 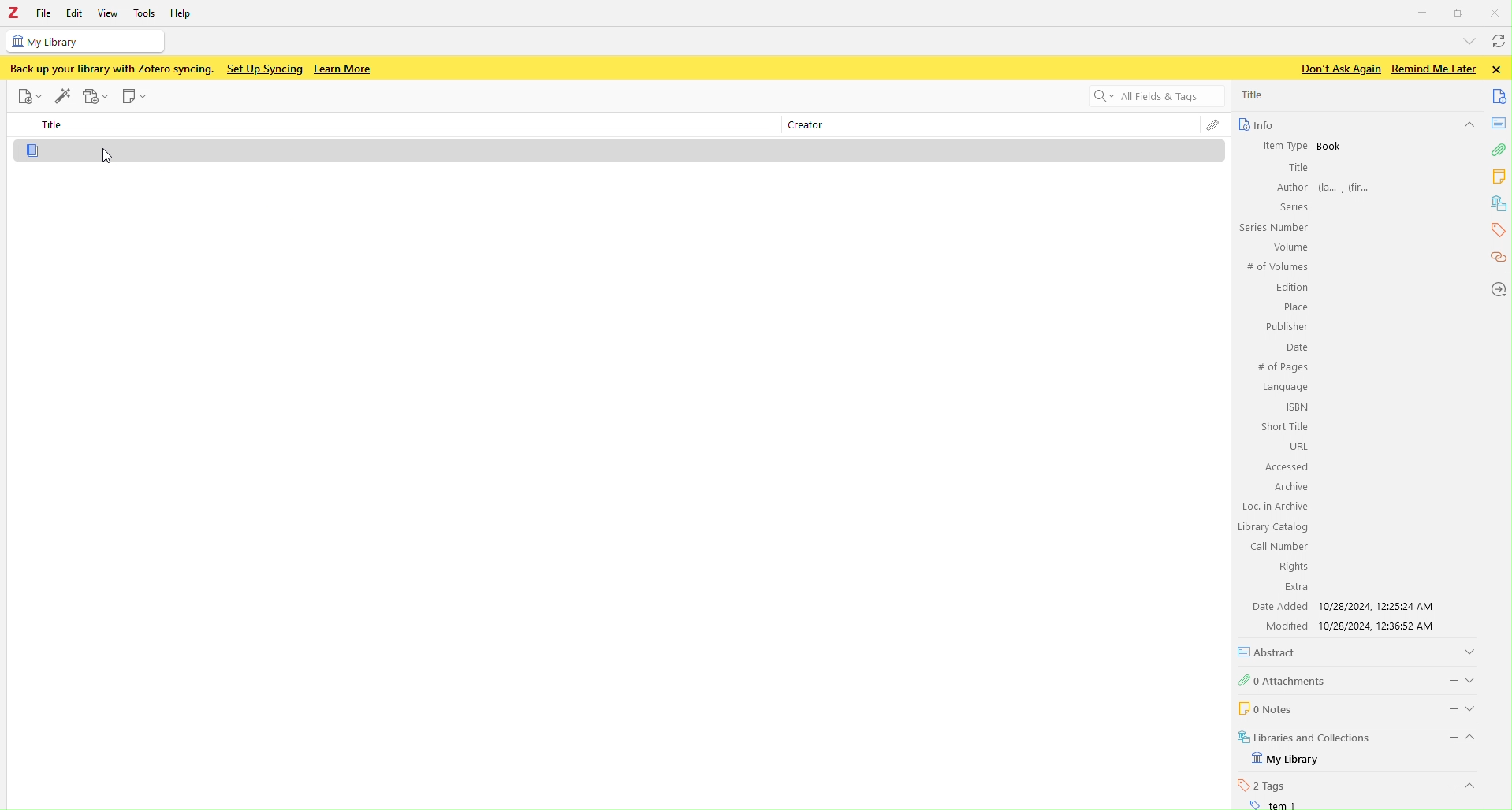 What do you see at coordinates (263, 69) in the screenshot?
I see `Set Up Syncing` at bounding box center [263, 69].